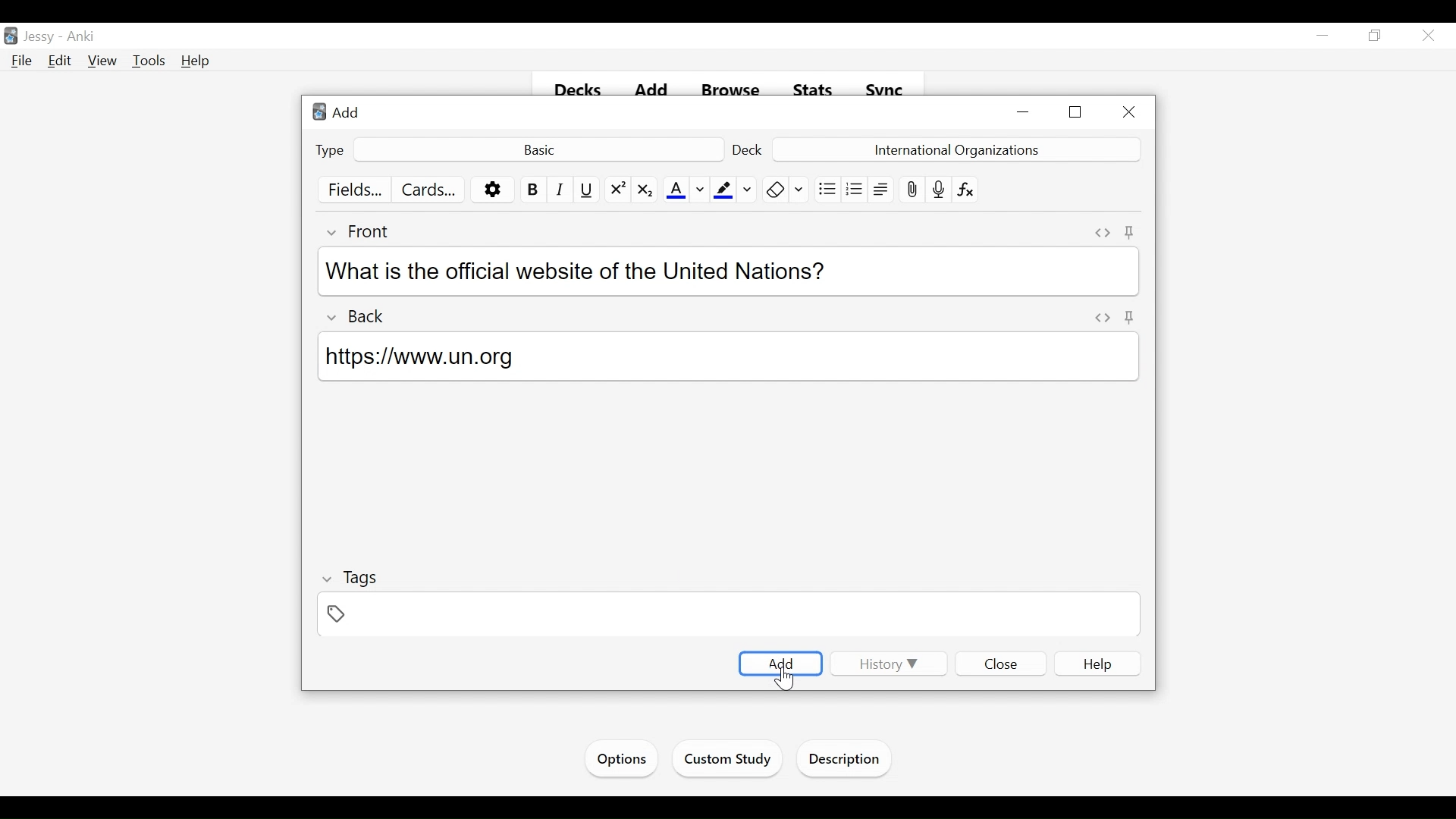 The width and height of the screenshot is (1456, 819). What do you see at coordinates (577, 90) in the screenshot?
I see `Decks` at bounding box center [577, 90].